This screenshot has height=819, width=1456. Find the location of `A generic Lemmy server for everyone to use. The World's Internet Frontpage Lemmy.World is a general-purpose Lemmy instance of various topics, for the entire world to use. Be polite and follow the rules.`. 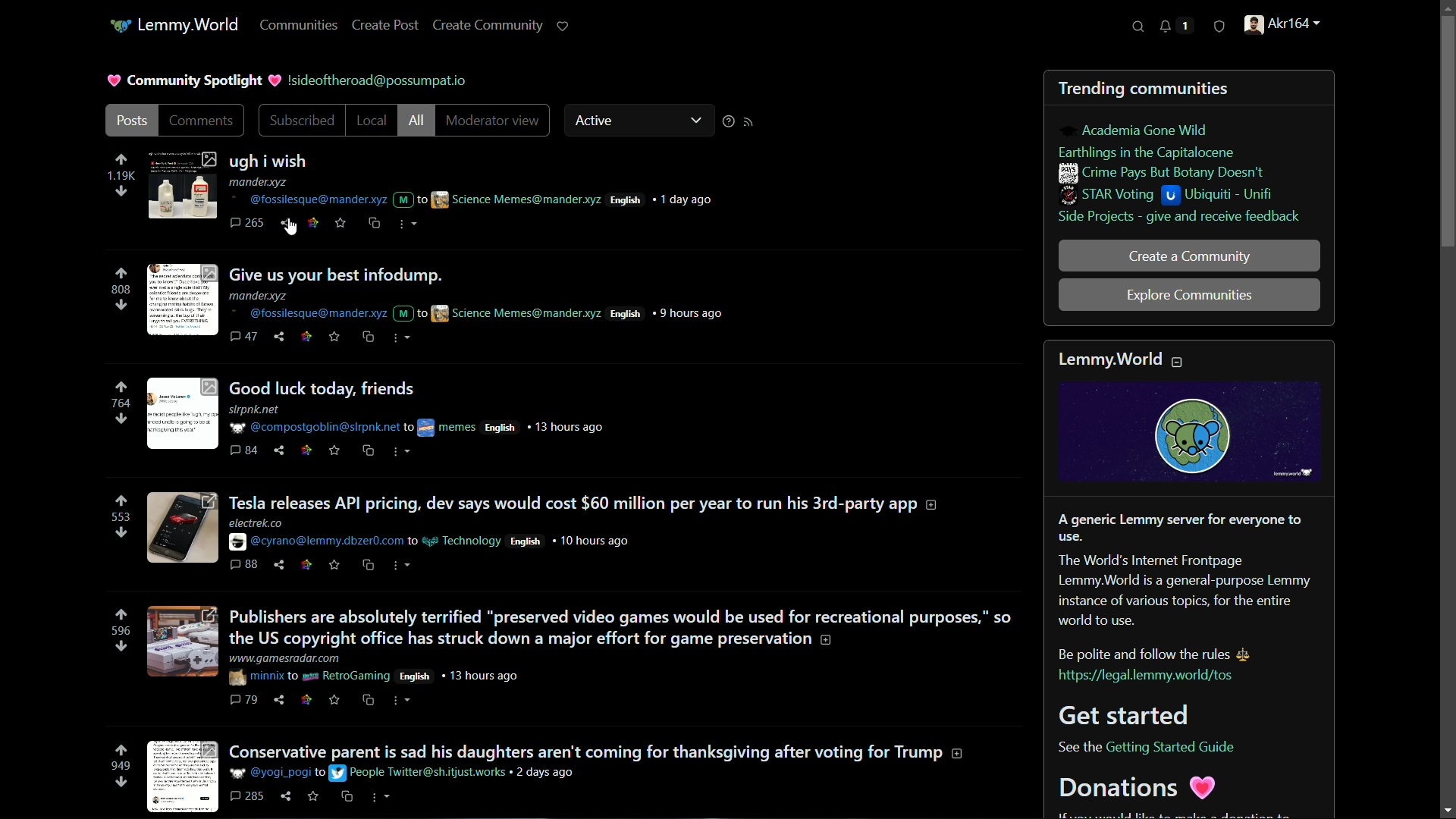

A generic Lemmy server for everyone to use. The World's Internet Frontpage Lemmy.World is a general-purpose Lemmy instance of various topics, for the entire world to use. Be polite and follow the rules. is located at coordinates (1186, 586).